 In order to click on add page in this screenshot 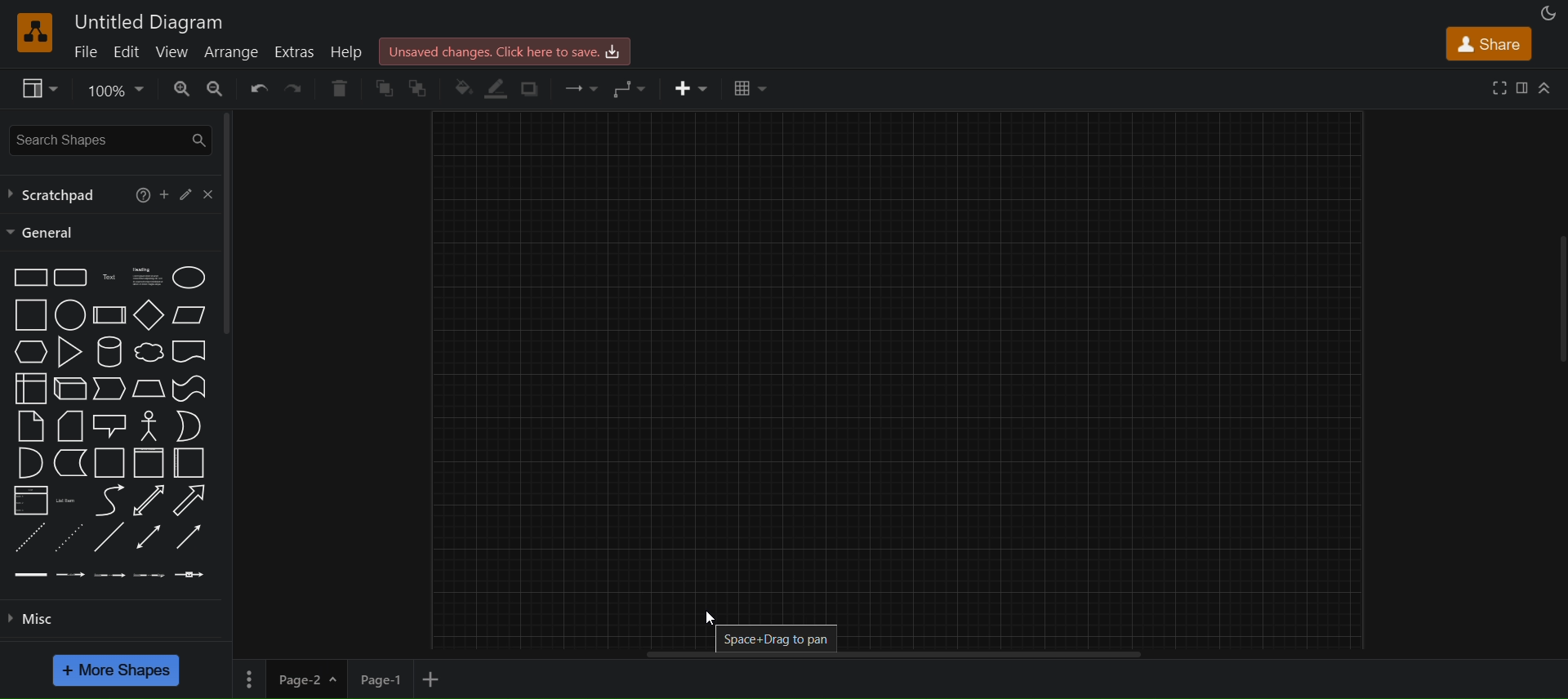, I will do `click(433, 680)`.